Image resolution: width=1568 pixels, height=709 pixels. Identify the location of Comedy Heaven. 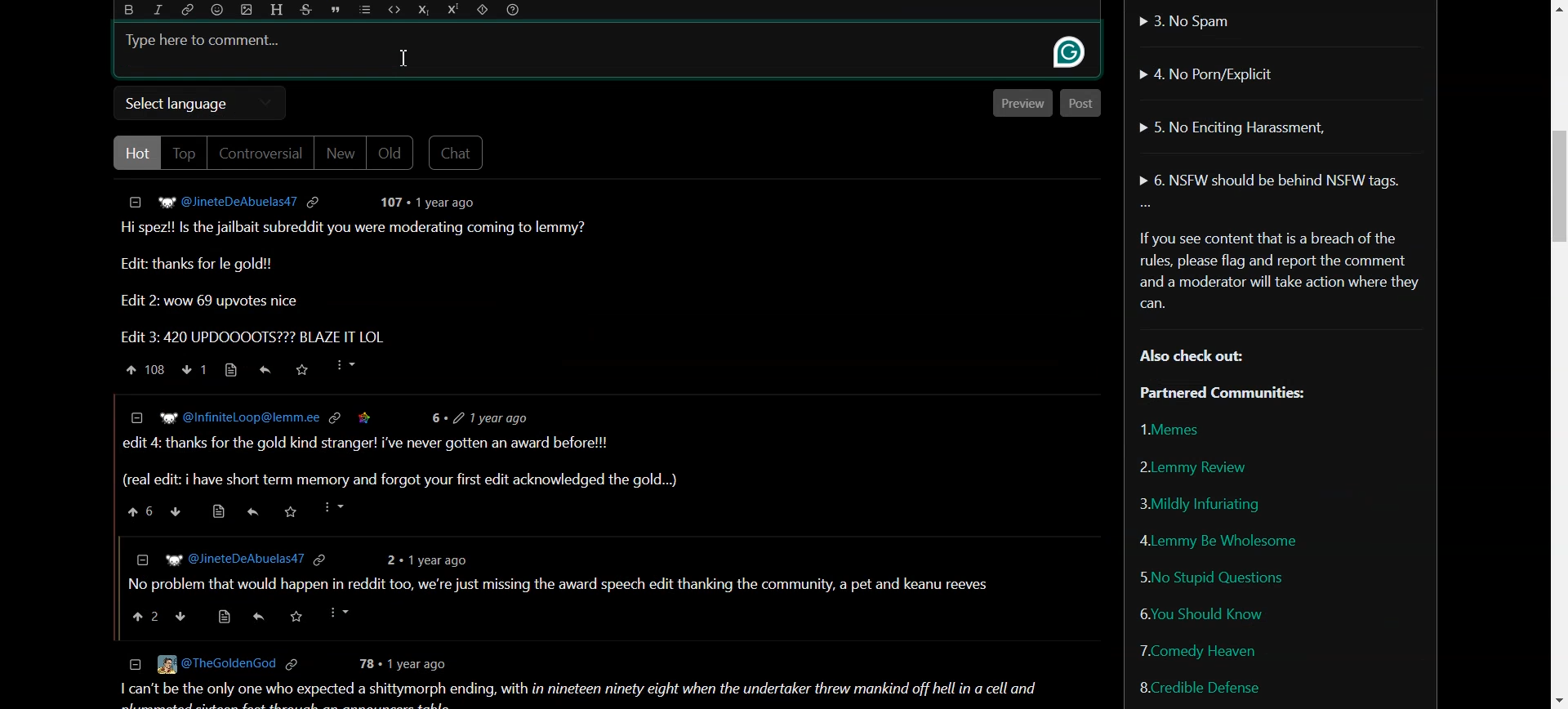
(1199, 649).